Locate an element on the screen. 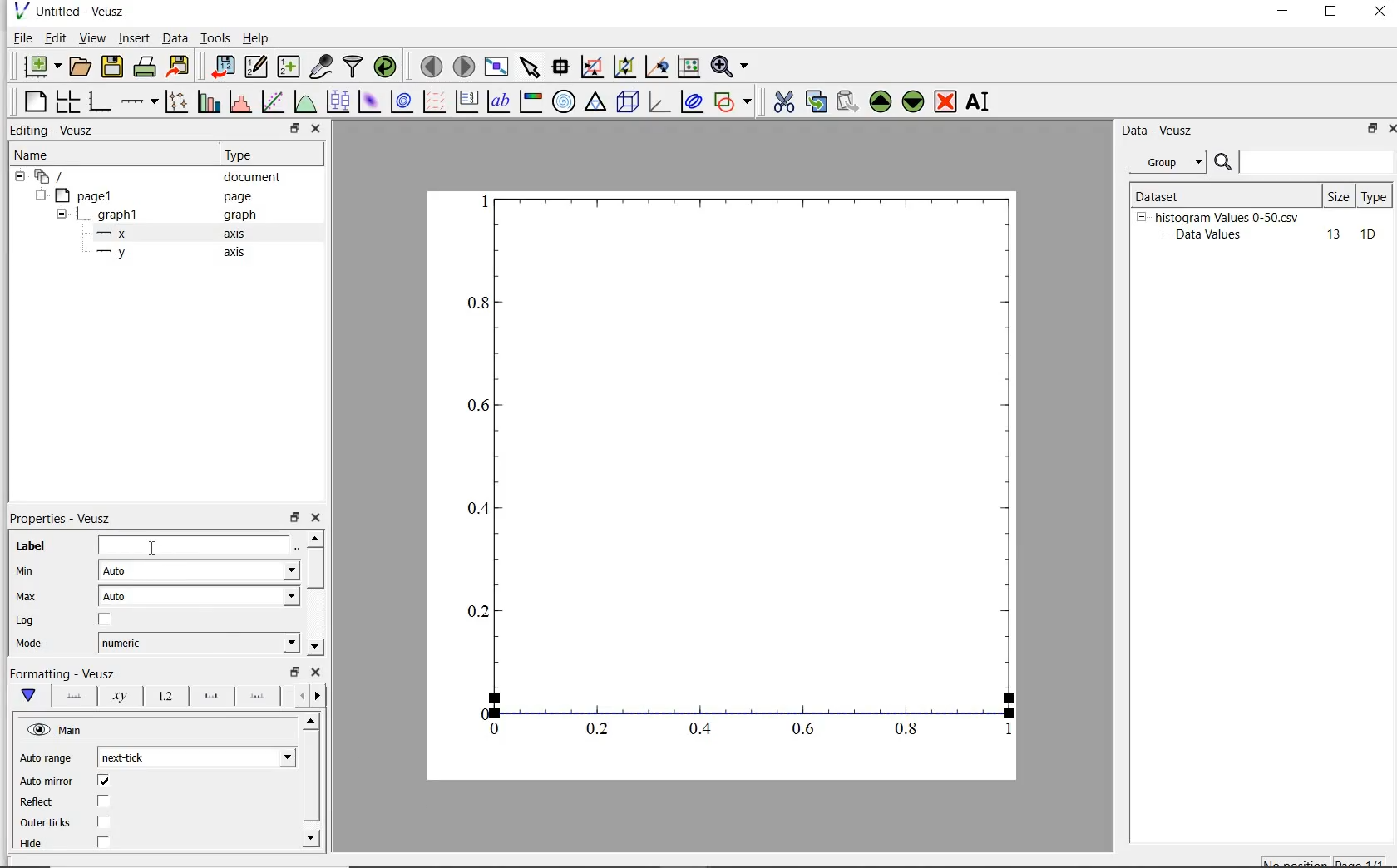 This screenshot has width=1397, height=868. remove the selected widget is located at coordinates (945, 103).